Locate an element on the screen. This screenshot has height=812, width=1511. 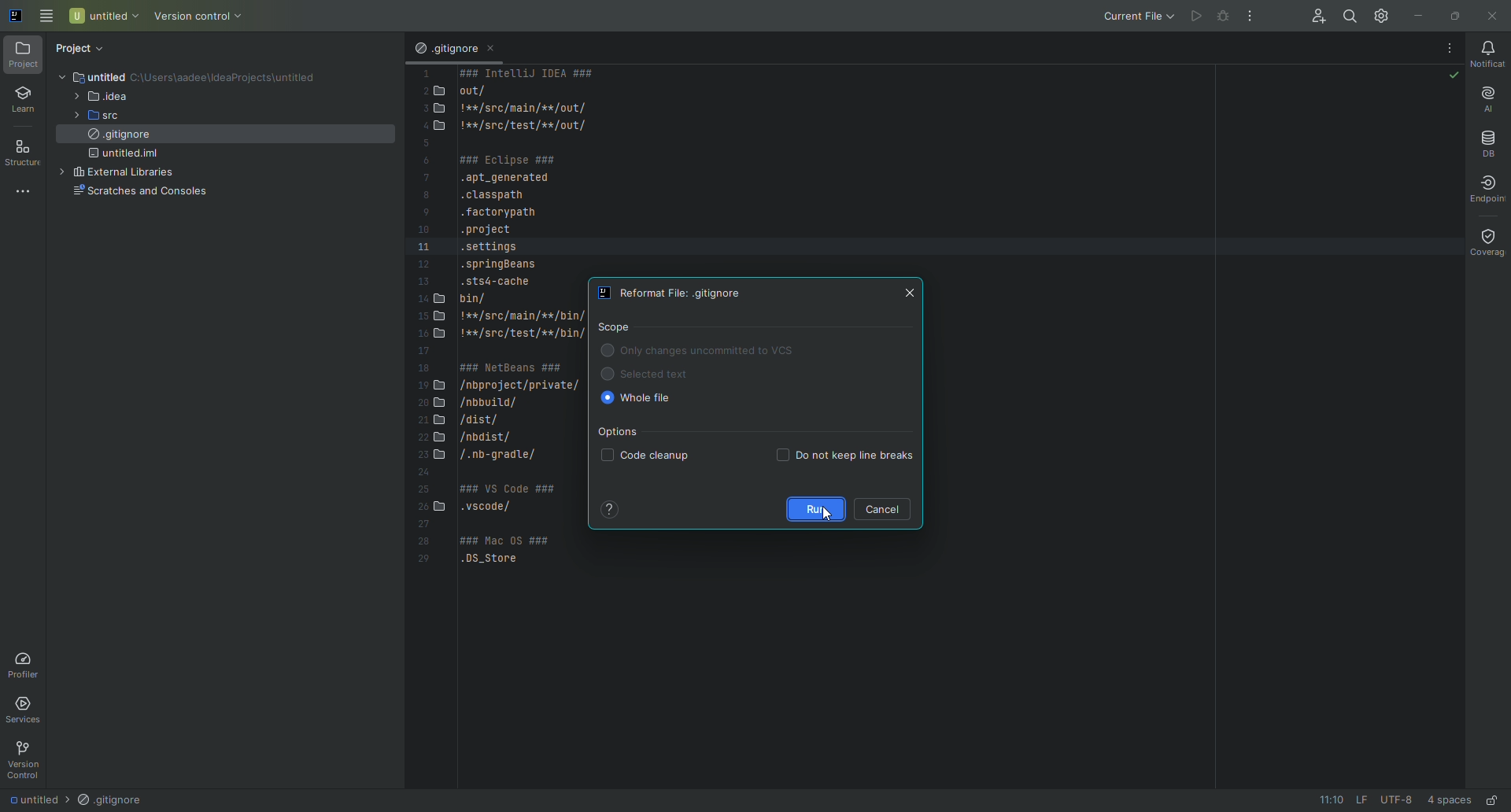
Lock is located at coordinates (1493, 799).